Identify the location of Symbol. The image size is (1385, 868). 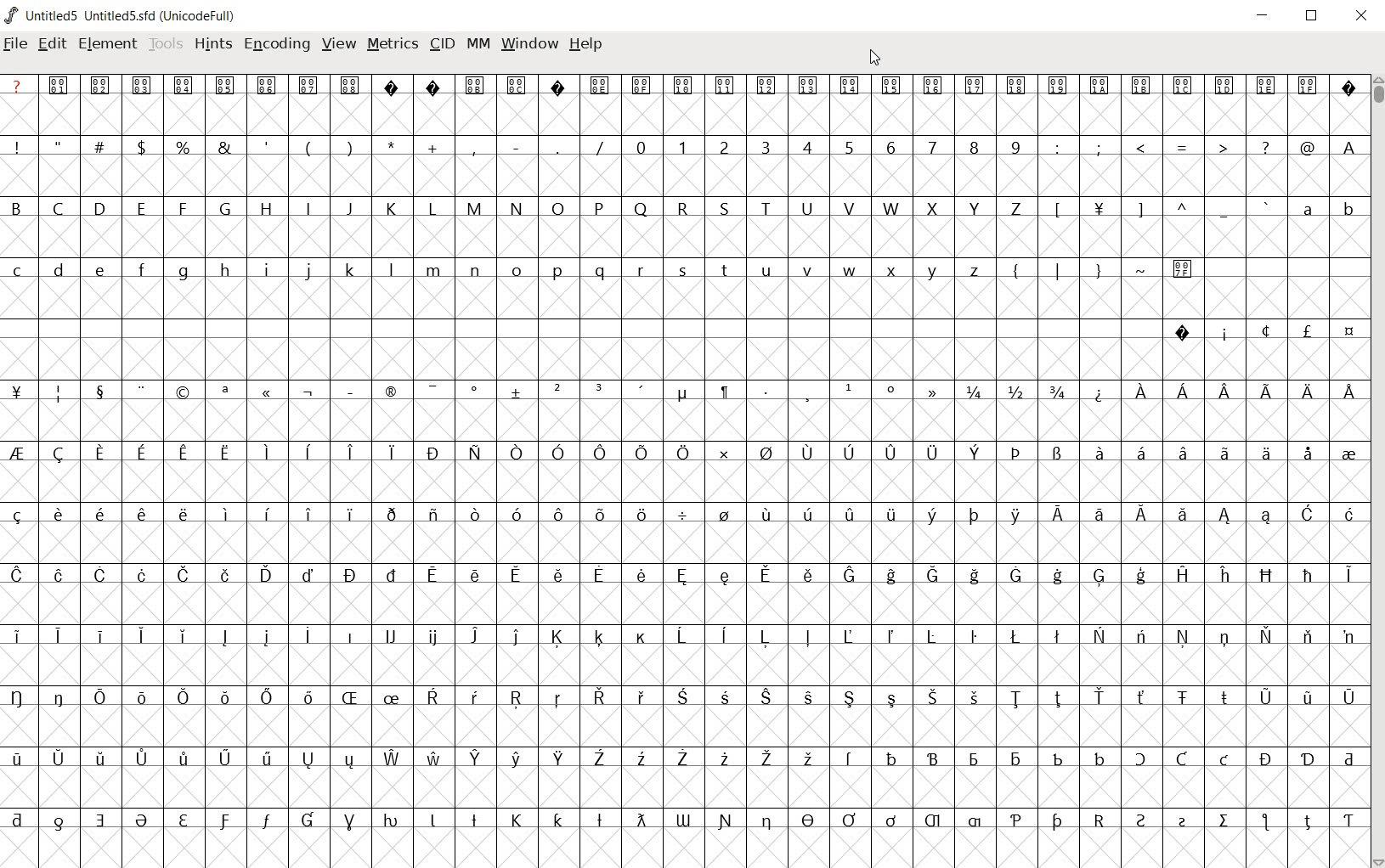
(514, 575).